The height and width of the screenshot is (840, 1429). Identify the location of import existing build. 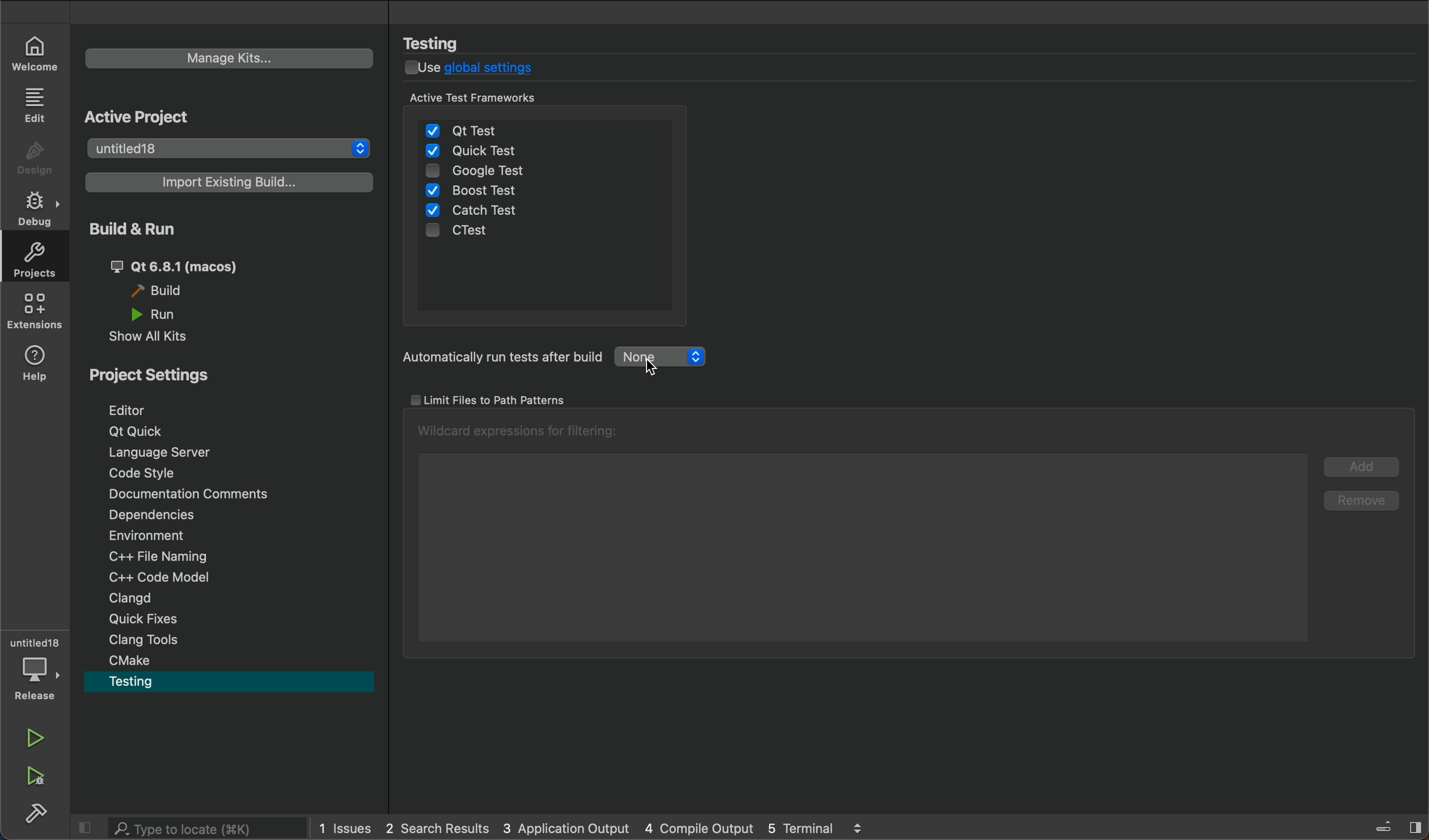
(223, 181).